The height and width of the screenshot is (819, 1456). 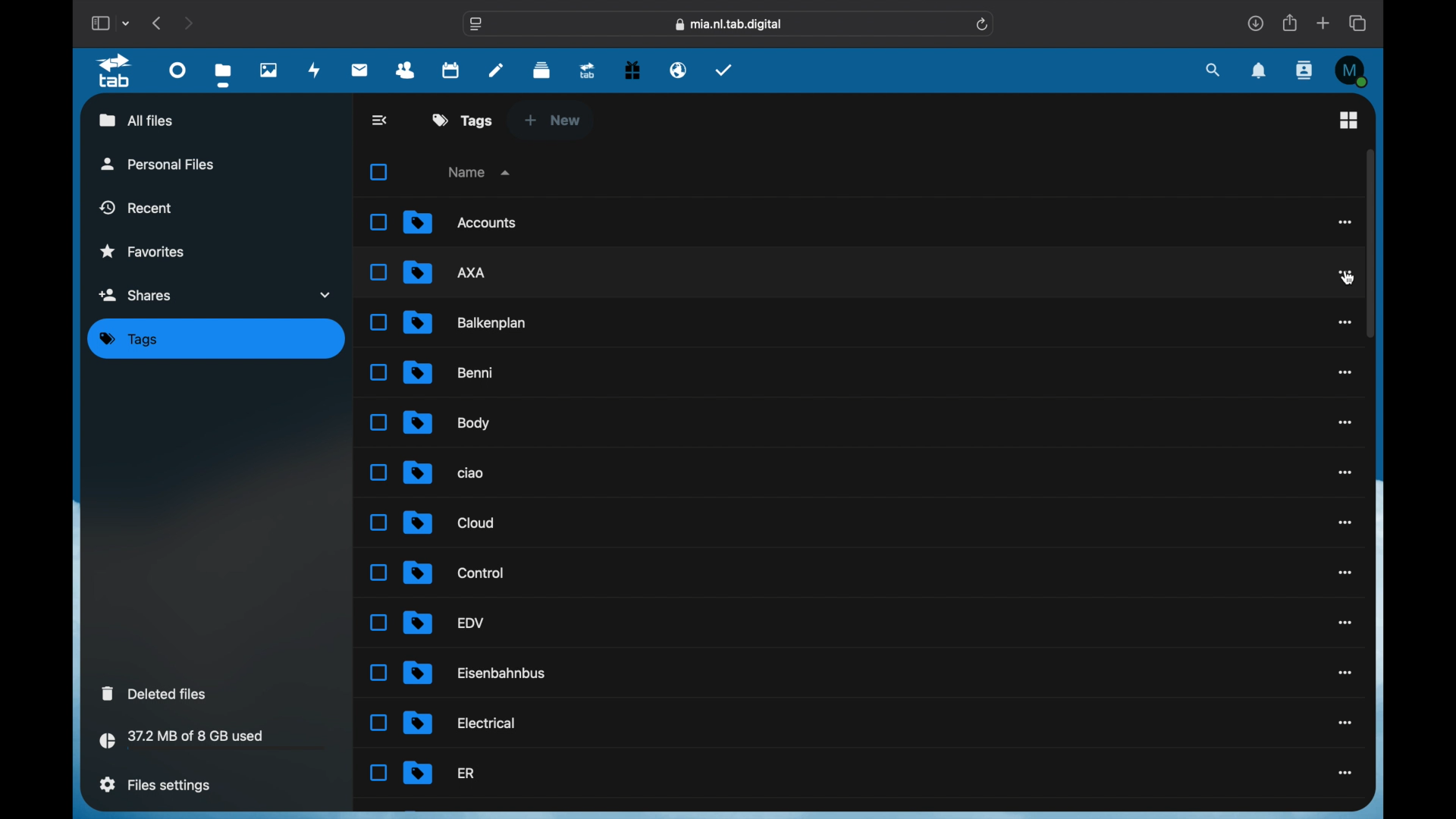 I want to click on contacts, so click(x=1305, y=71).